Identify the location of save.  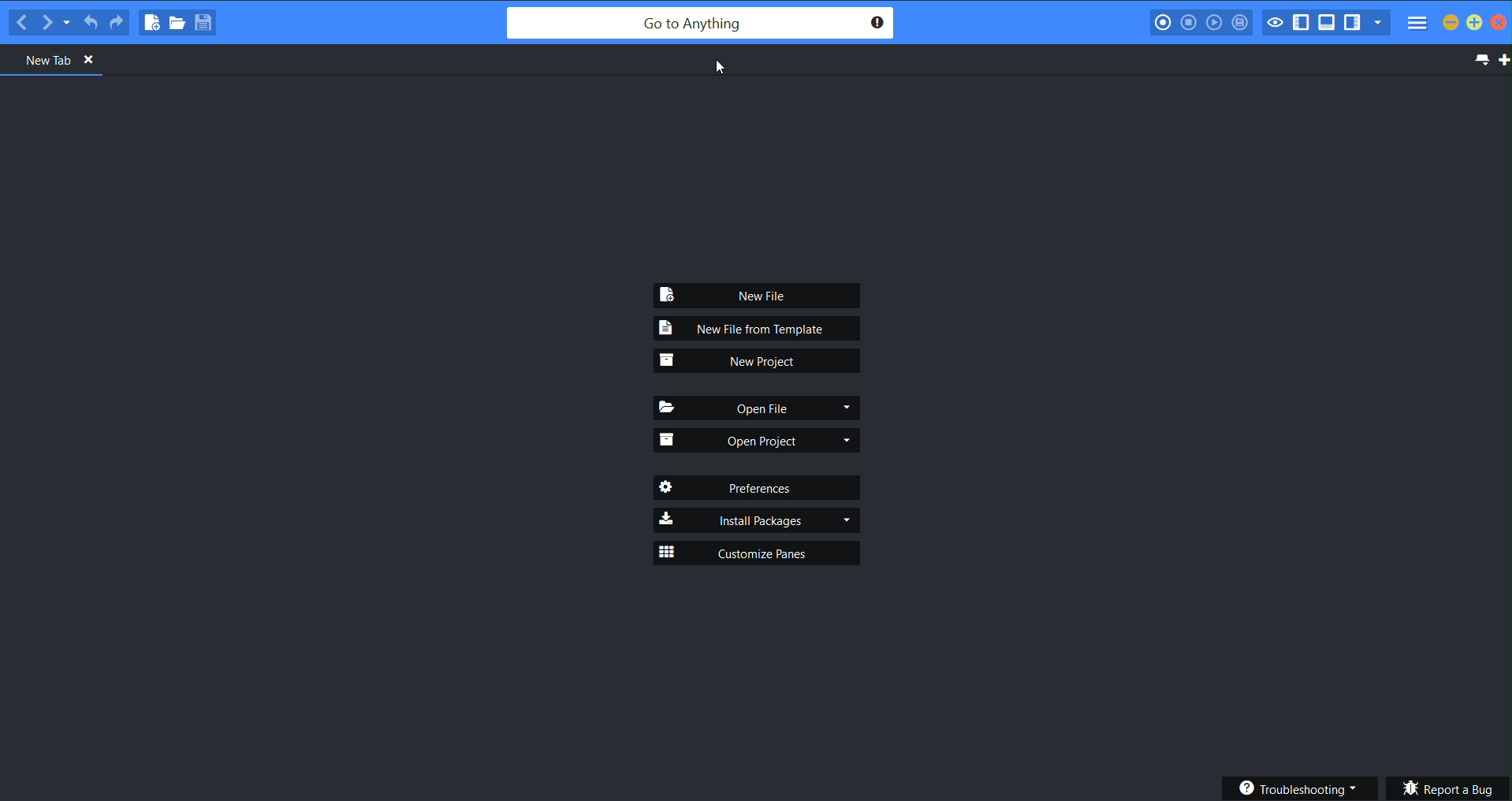
(207, 22).